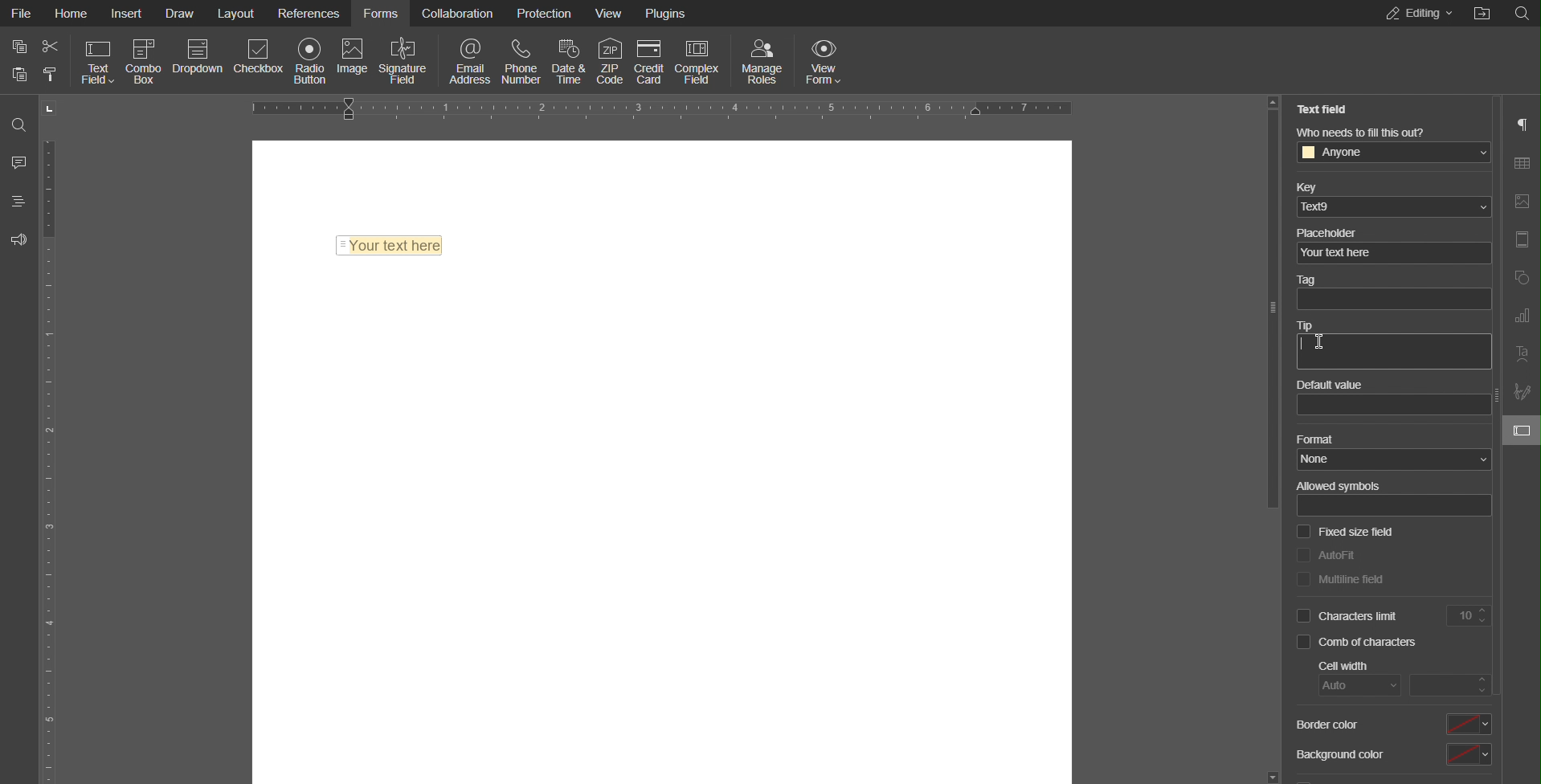 The height and width of the screenshot is (784, 1541). What do you see at coordinates (1327, 343) in the screenshot?
I see `cursor` at bounding box center [1327, 343].